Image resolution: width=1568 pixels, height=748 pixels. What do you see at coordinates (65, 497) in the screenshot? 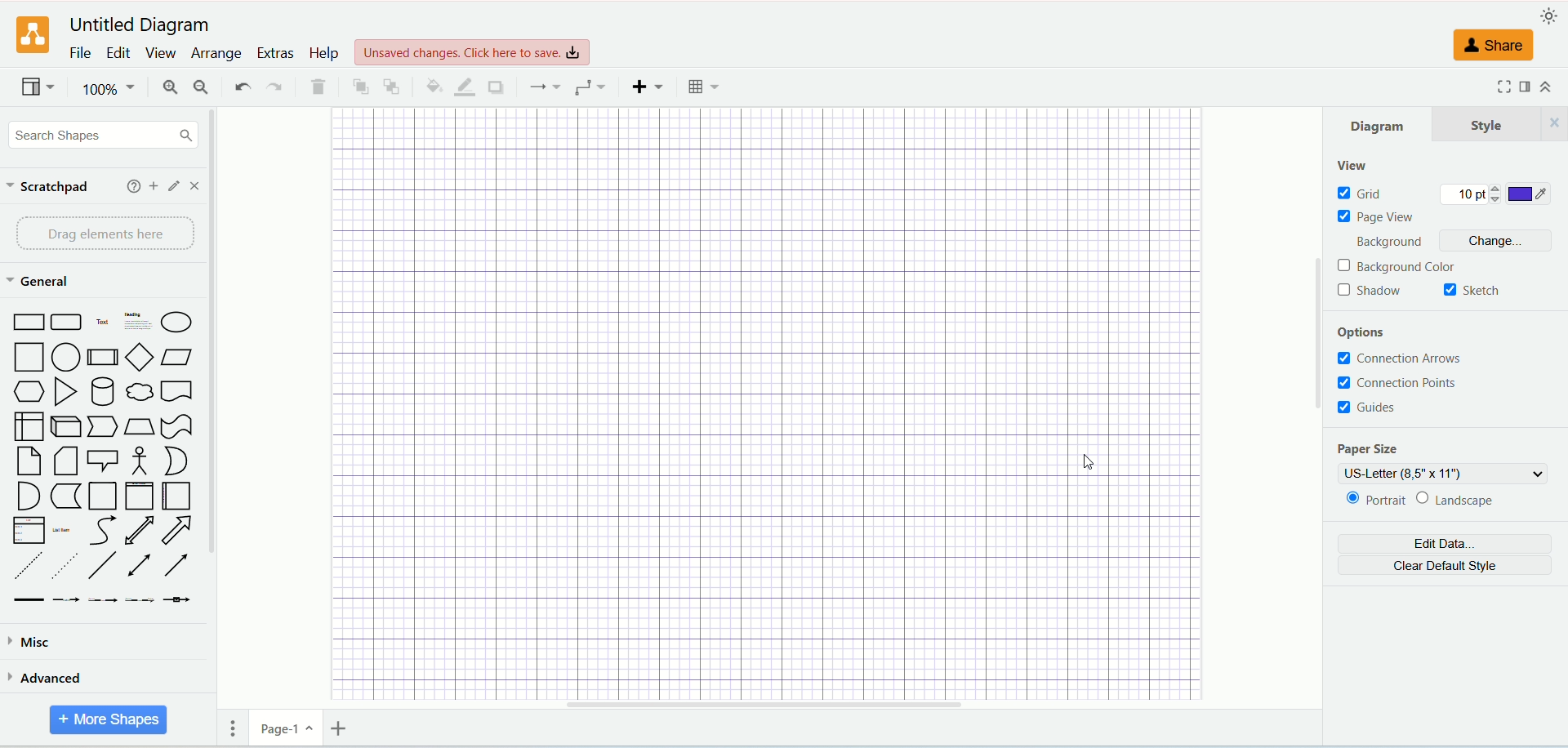
I see `Data Storage` at bounding box center [65, 497].